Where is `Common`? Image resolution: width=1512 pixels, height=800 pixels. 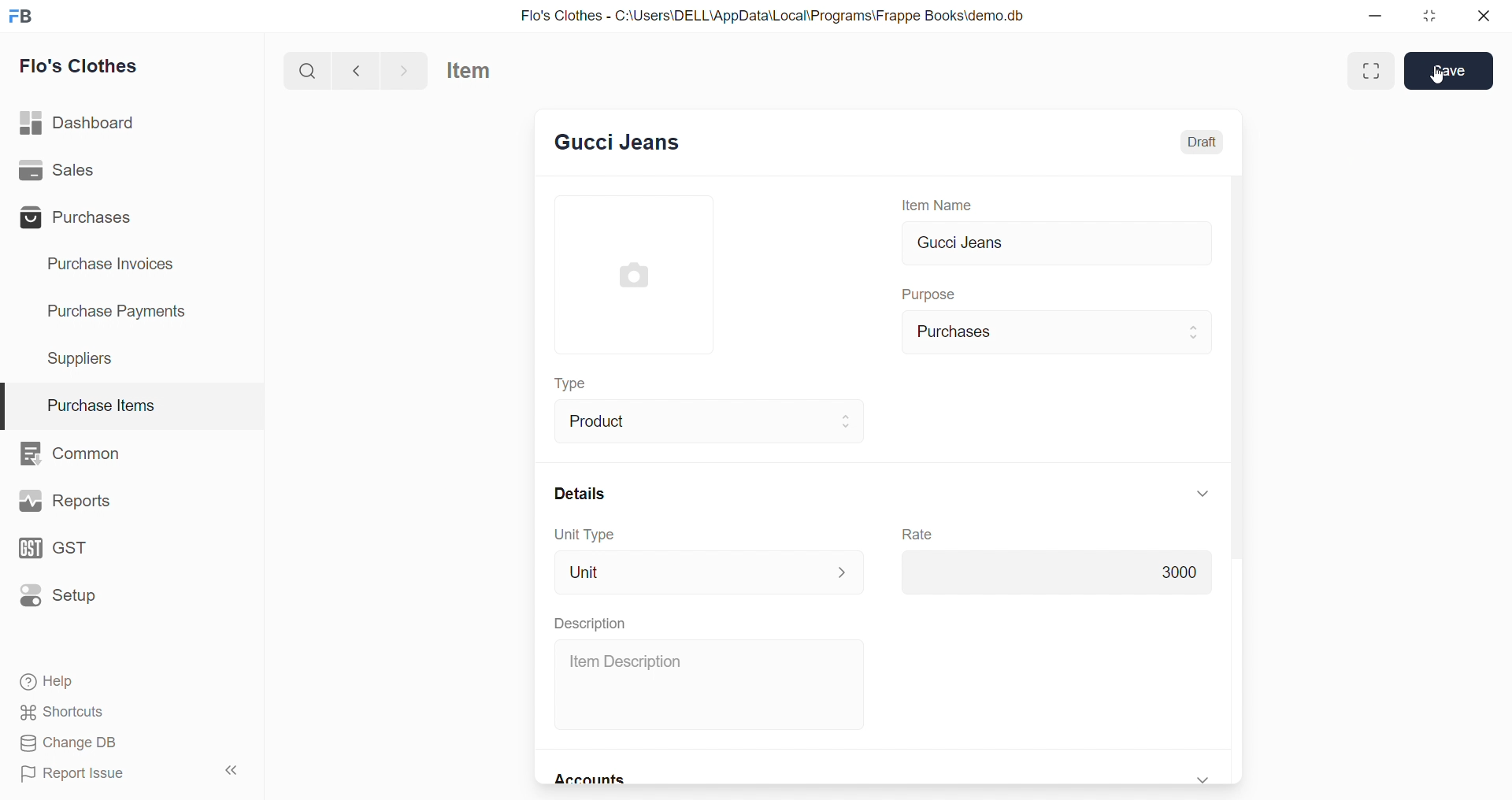
Common is located at coordinates (79, 452).